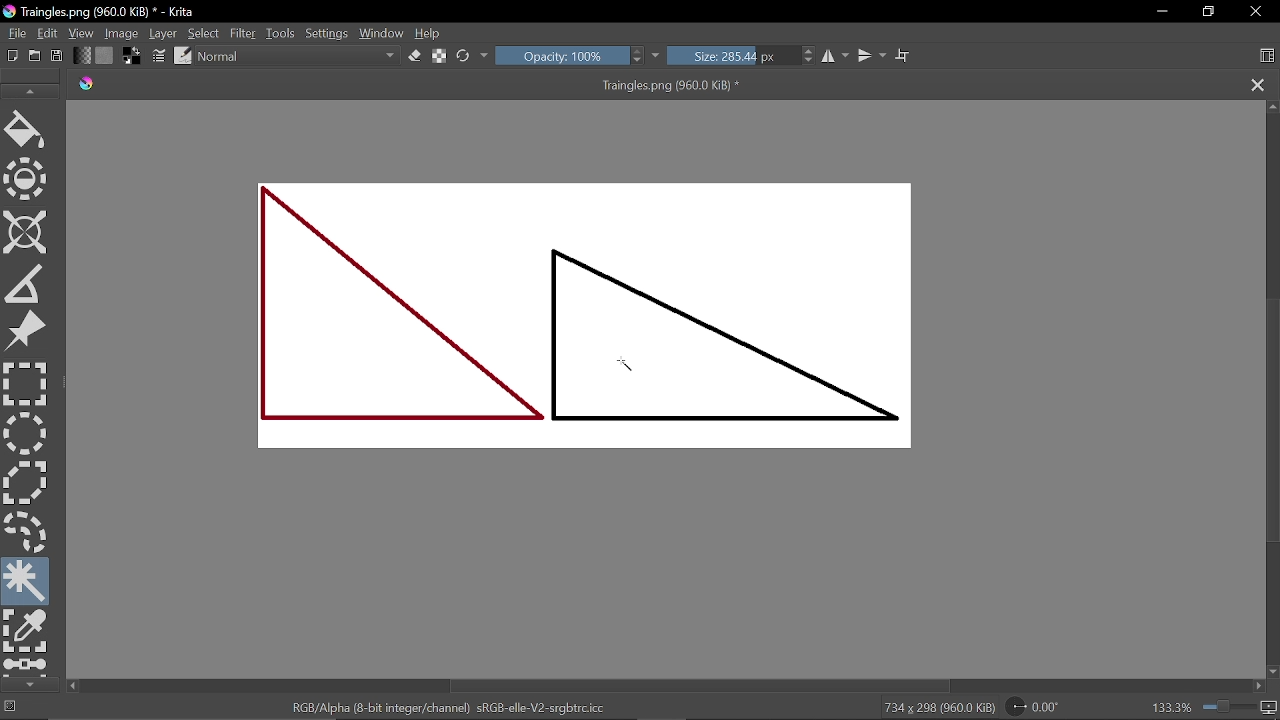  I want to click on Close, so click(1257, 11).